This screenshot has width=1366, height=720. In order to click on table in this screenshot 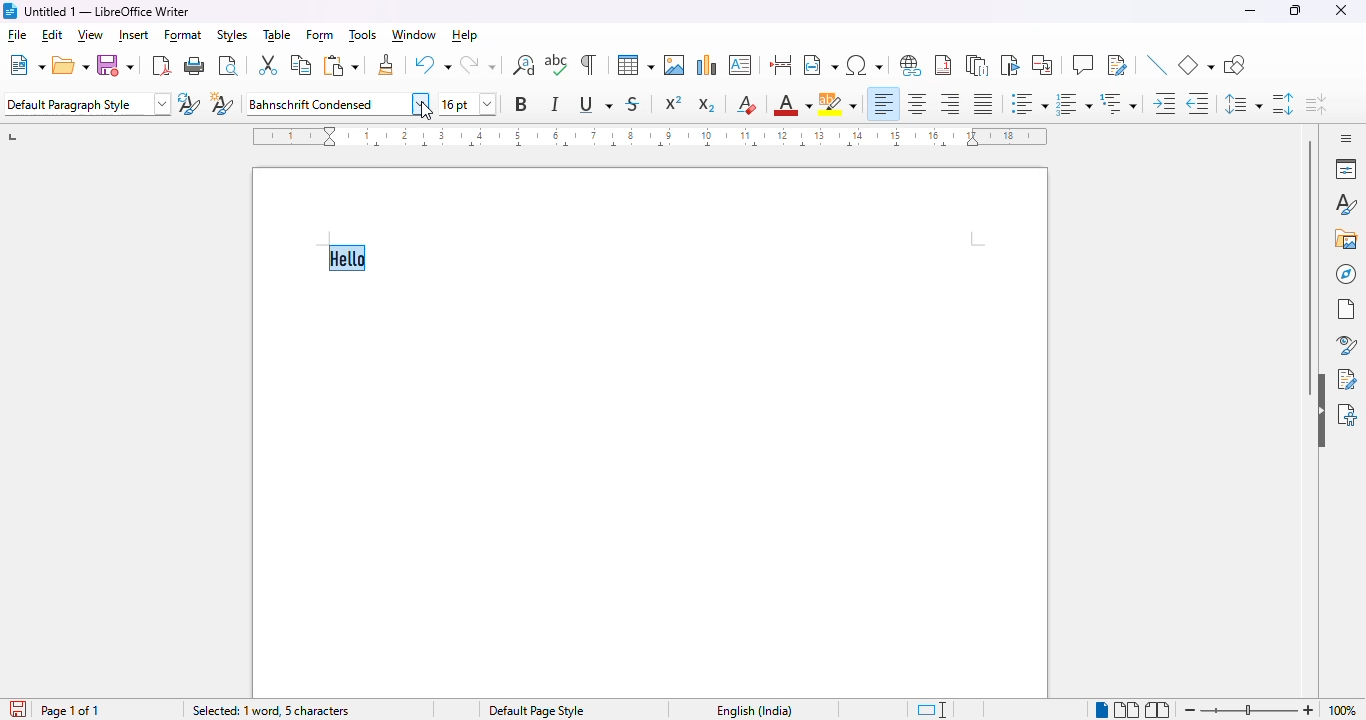, I will do `click(277, 35)`.